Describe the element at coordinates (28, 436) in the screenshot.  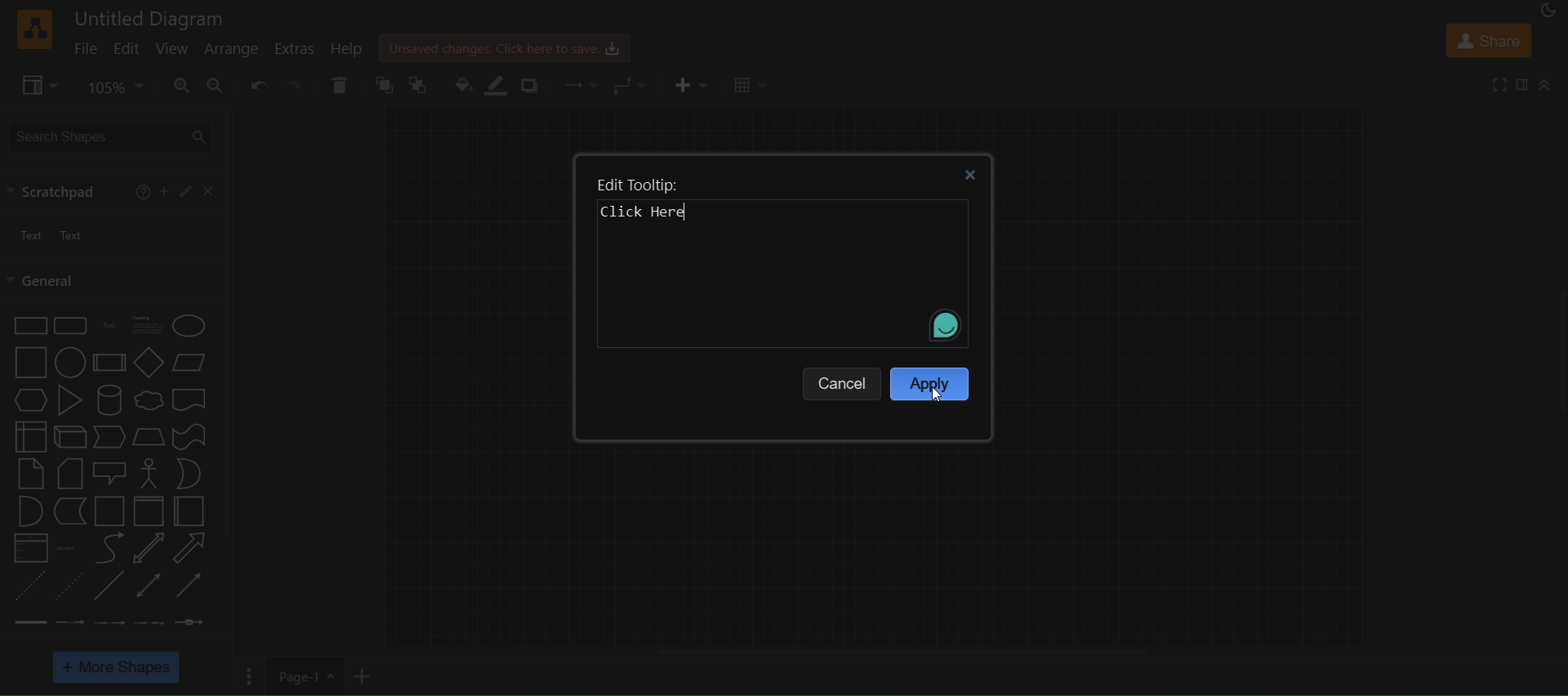
I see `internal storage` at that location.